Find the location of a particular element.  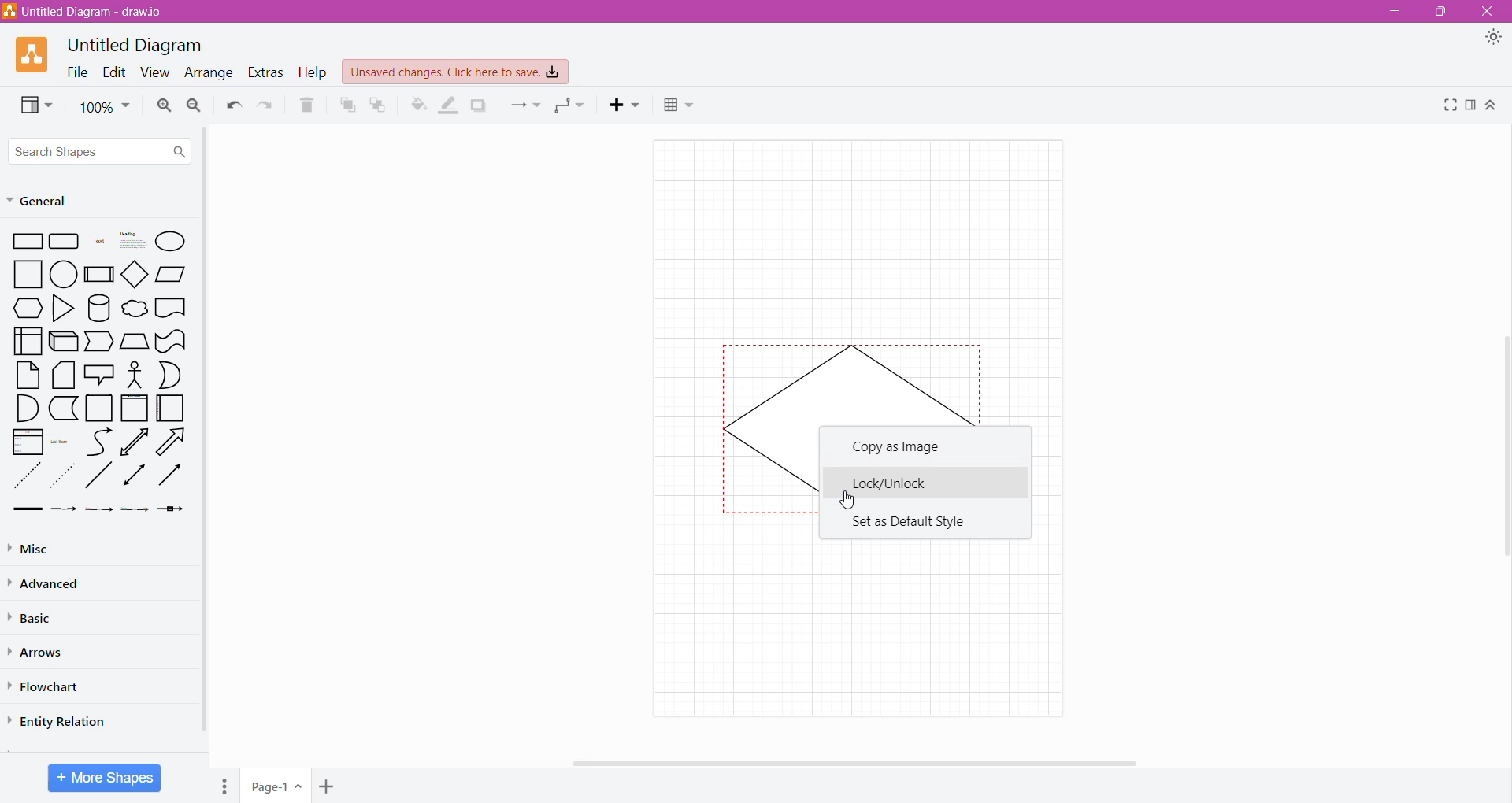

Item List is located at coordinates (28, 442).